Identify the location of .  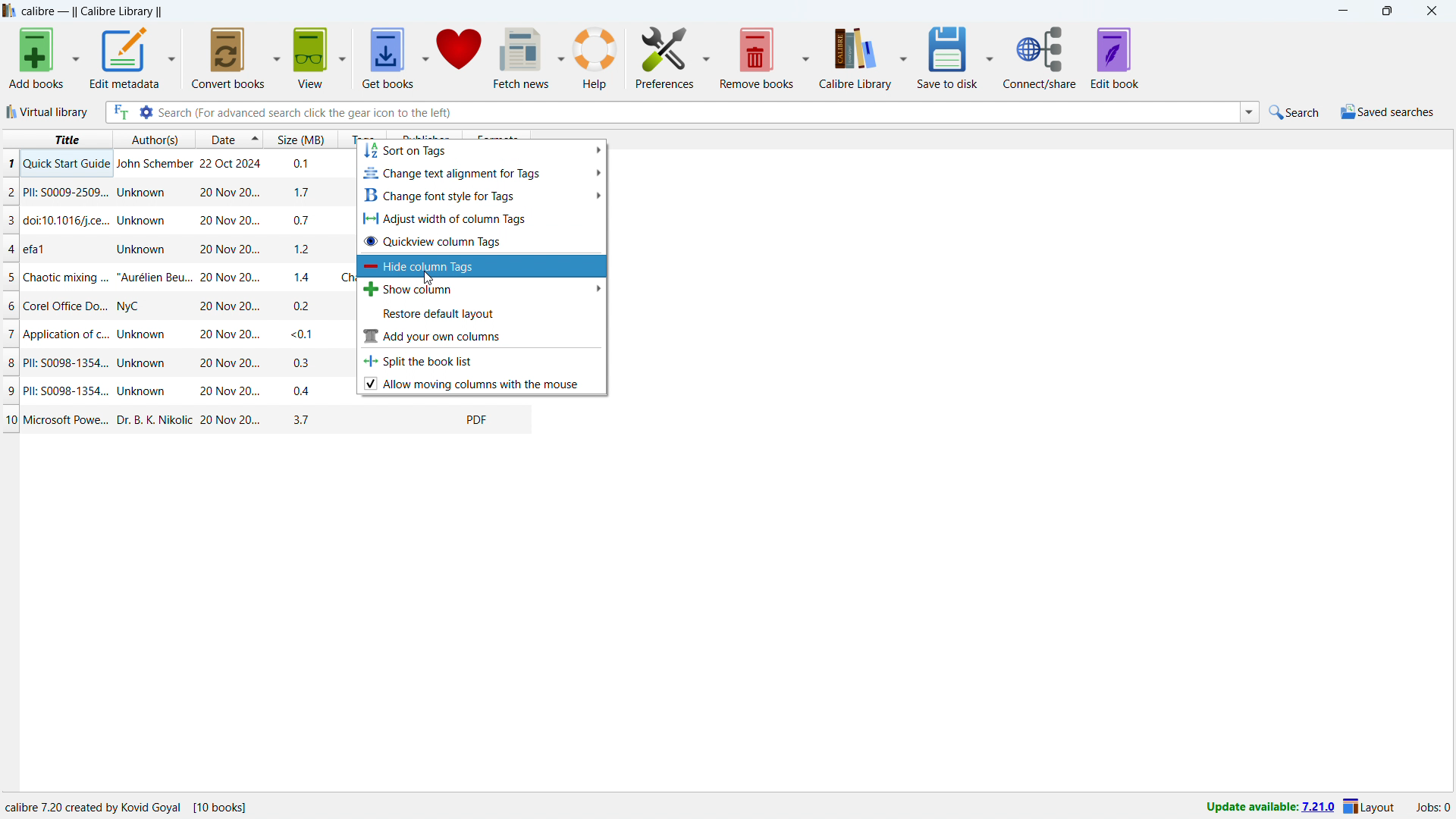
(856, 58).